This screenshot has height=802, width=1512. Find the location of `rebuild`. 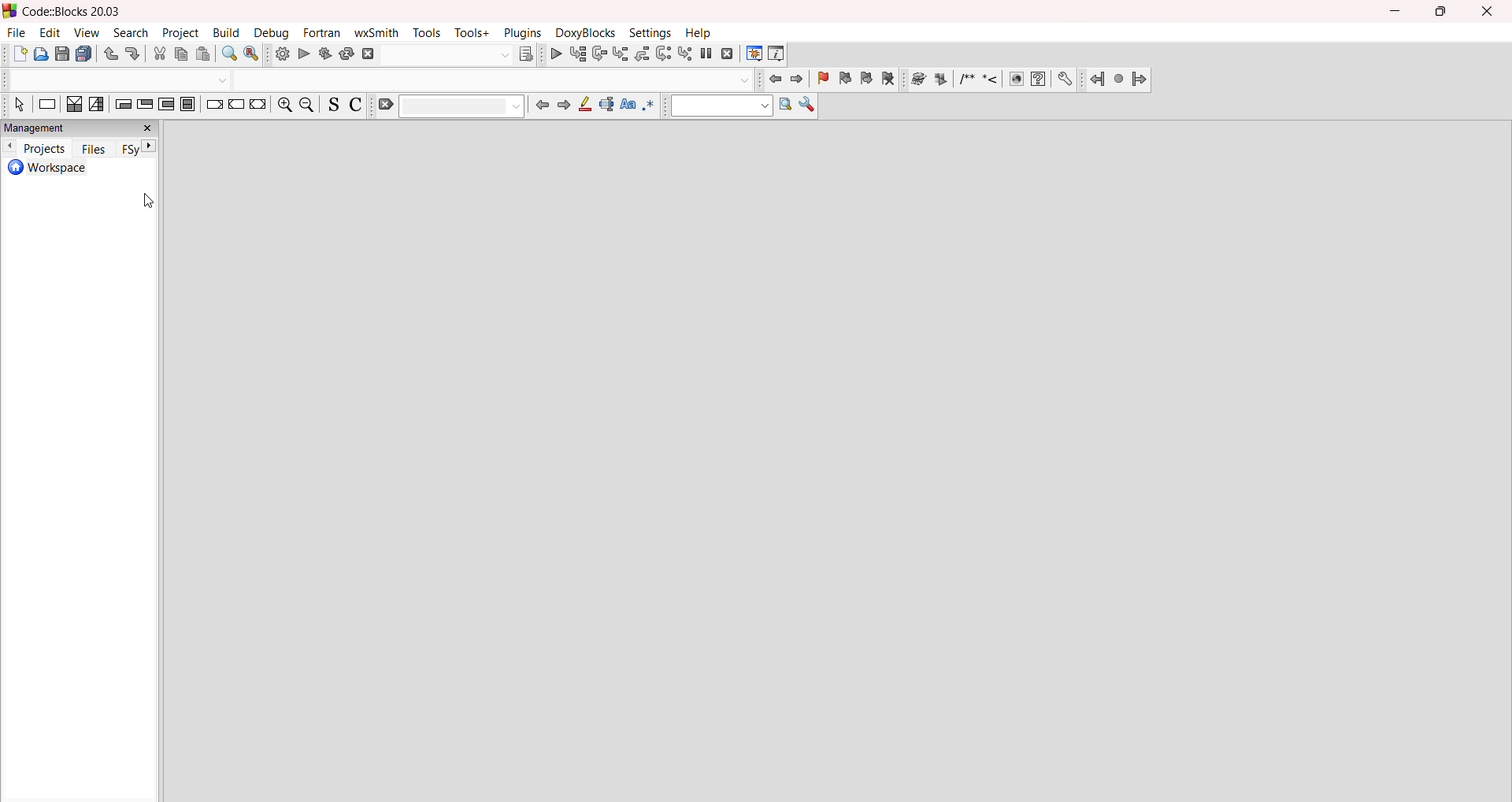

rebuild is located at coordinates (346, 56).